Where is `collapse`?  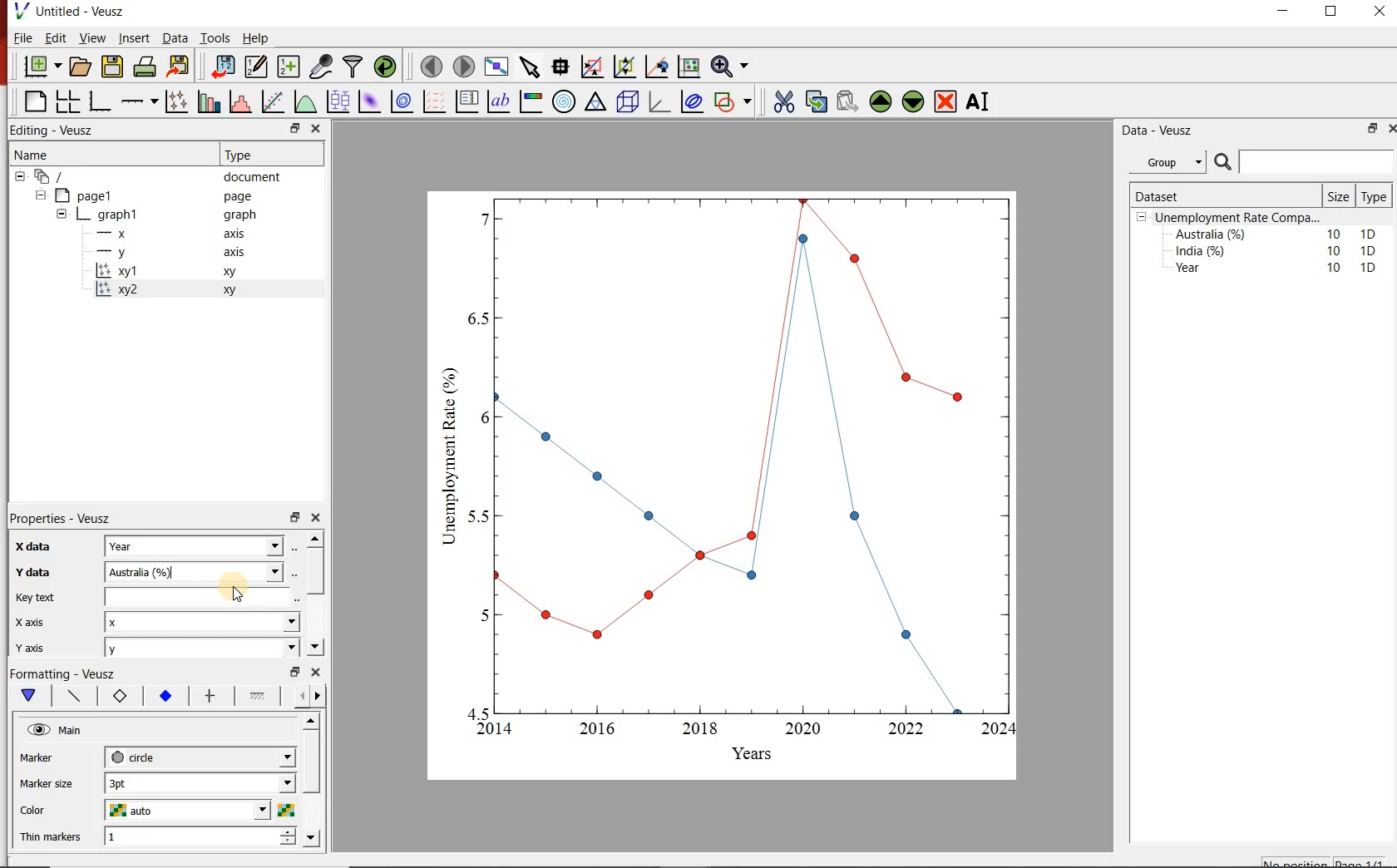
collapse is located at coordinates (19, 176).